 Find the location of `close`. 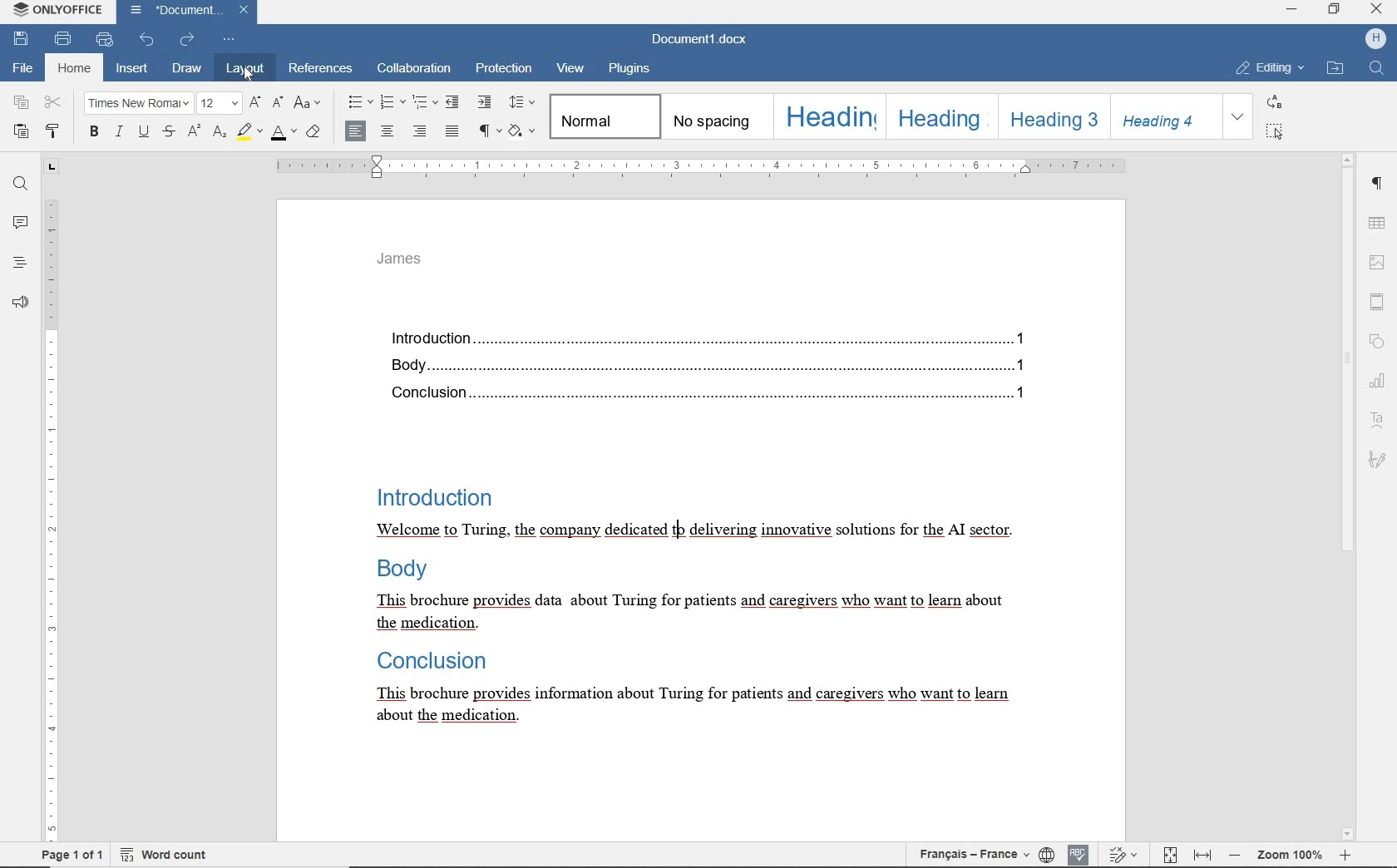

close is located at coordinates (251, 8).